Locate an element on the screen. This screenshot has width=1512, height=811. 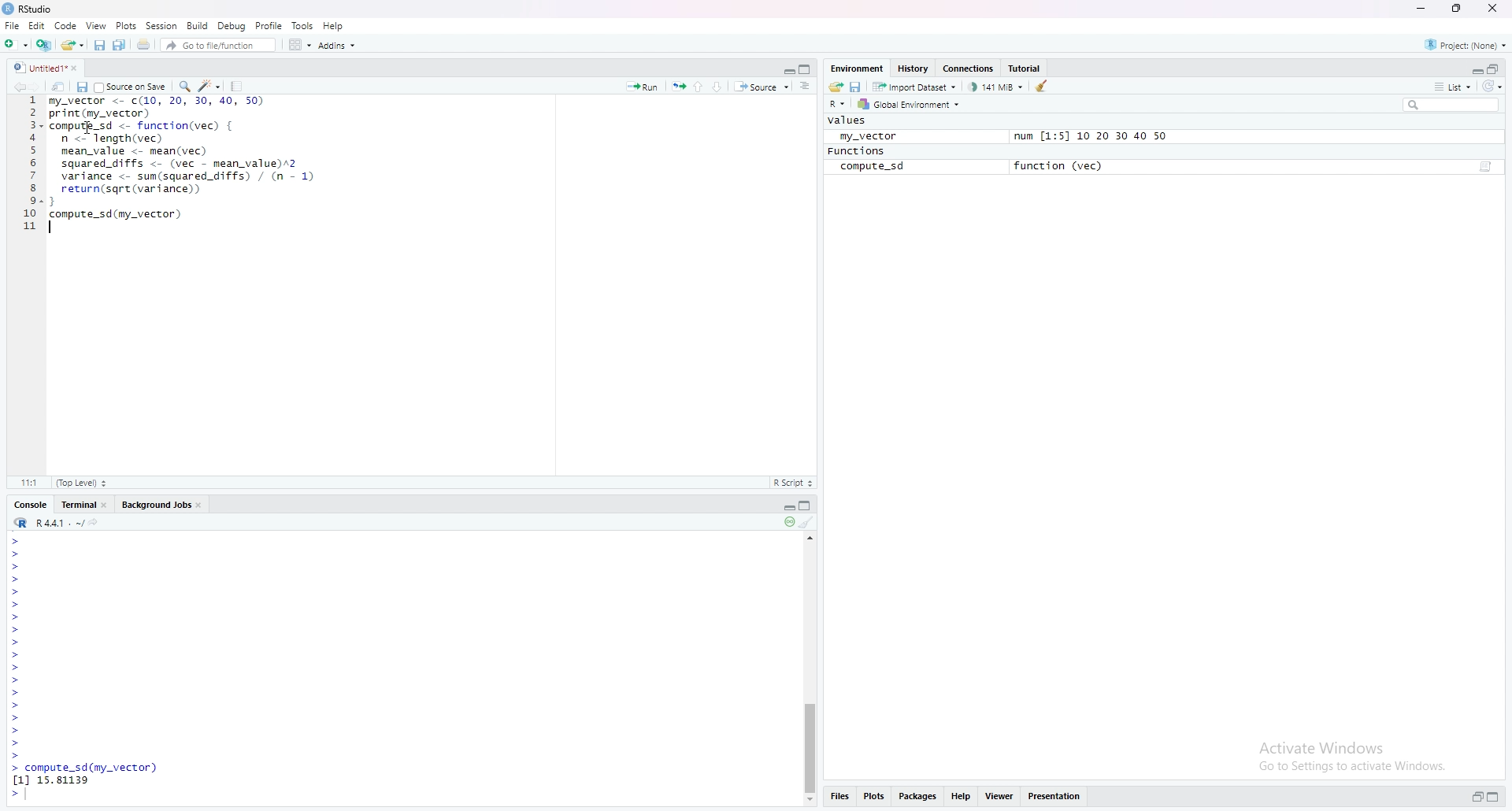
Save all open documents (Ctrl + Alt + S) is located at coordinates (120, 45).